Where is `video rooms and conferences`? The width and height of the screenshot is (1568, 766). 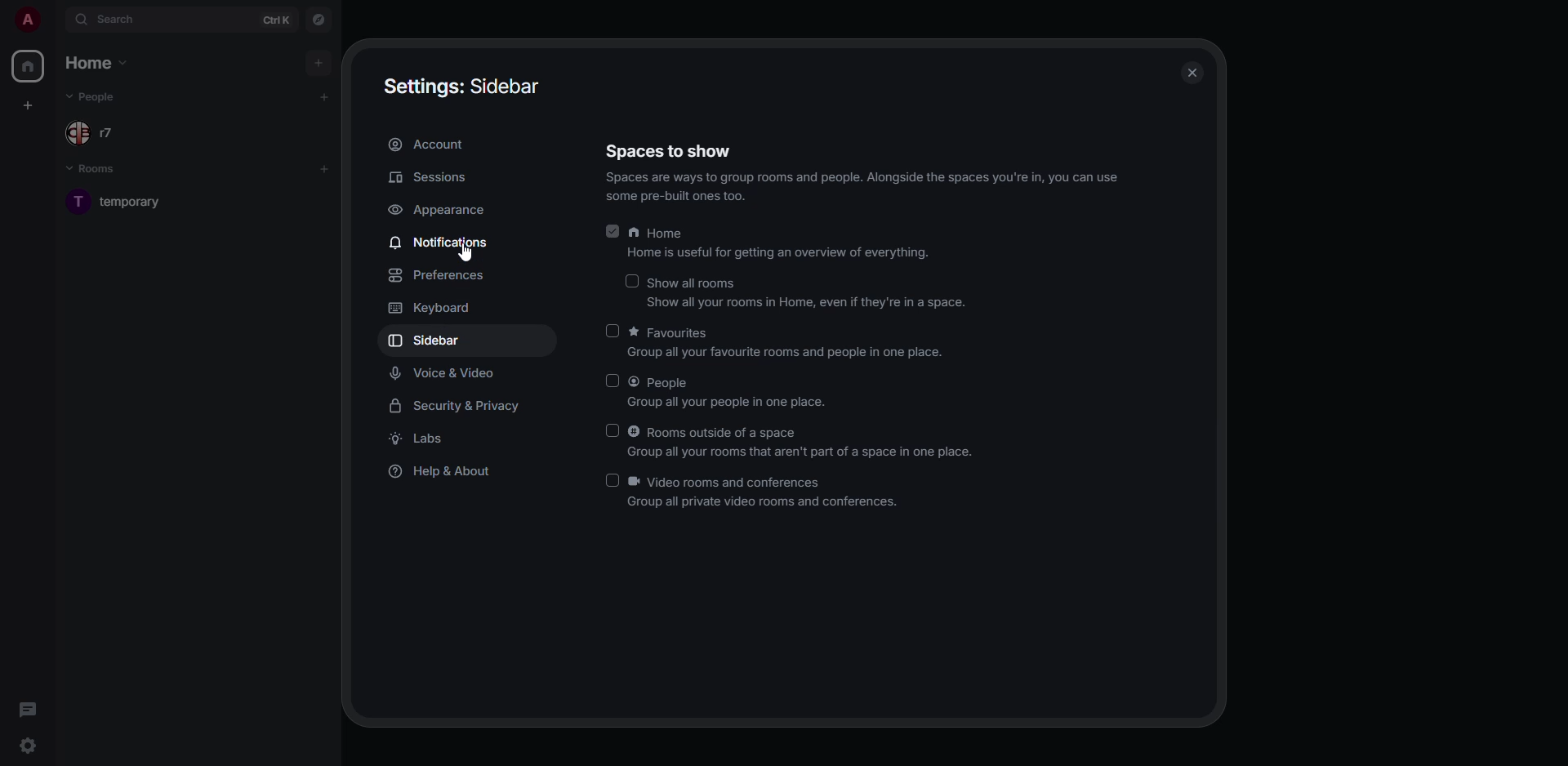 video rooms and conferences is located at coordinates (766, 492).